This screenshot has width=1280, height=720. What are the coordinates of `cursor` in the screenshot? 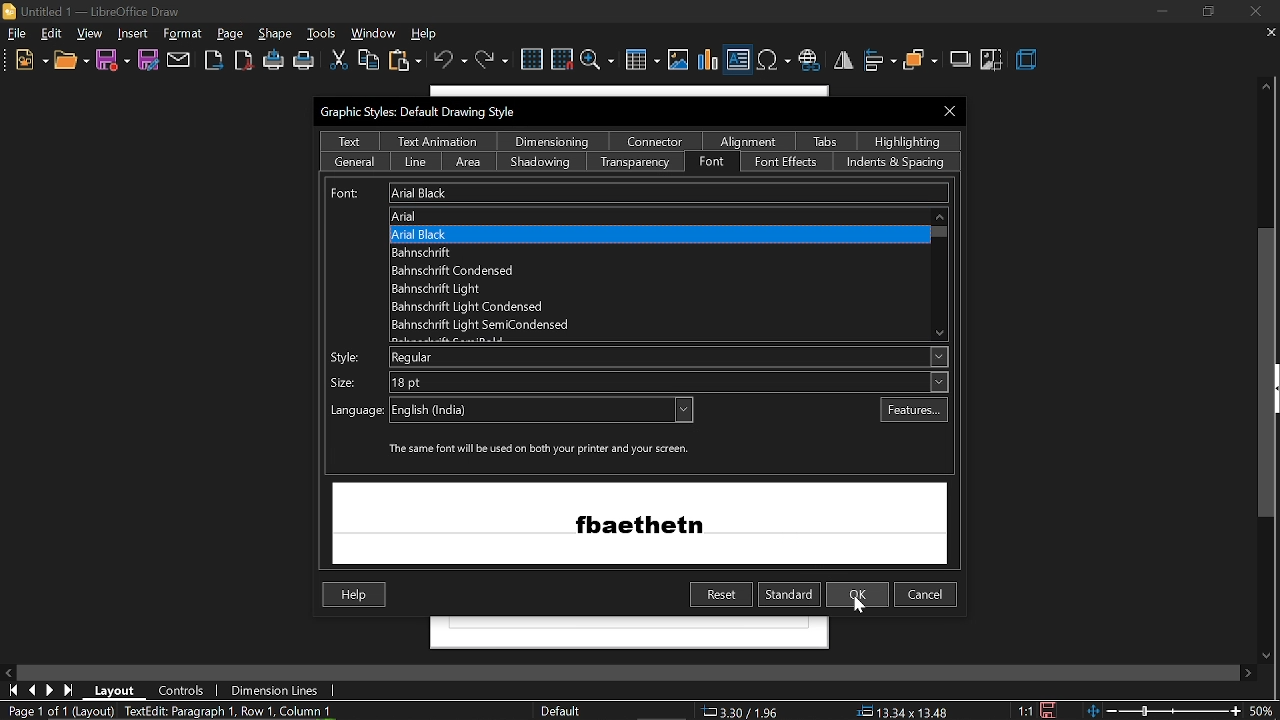 It's located at (865, 606).